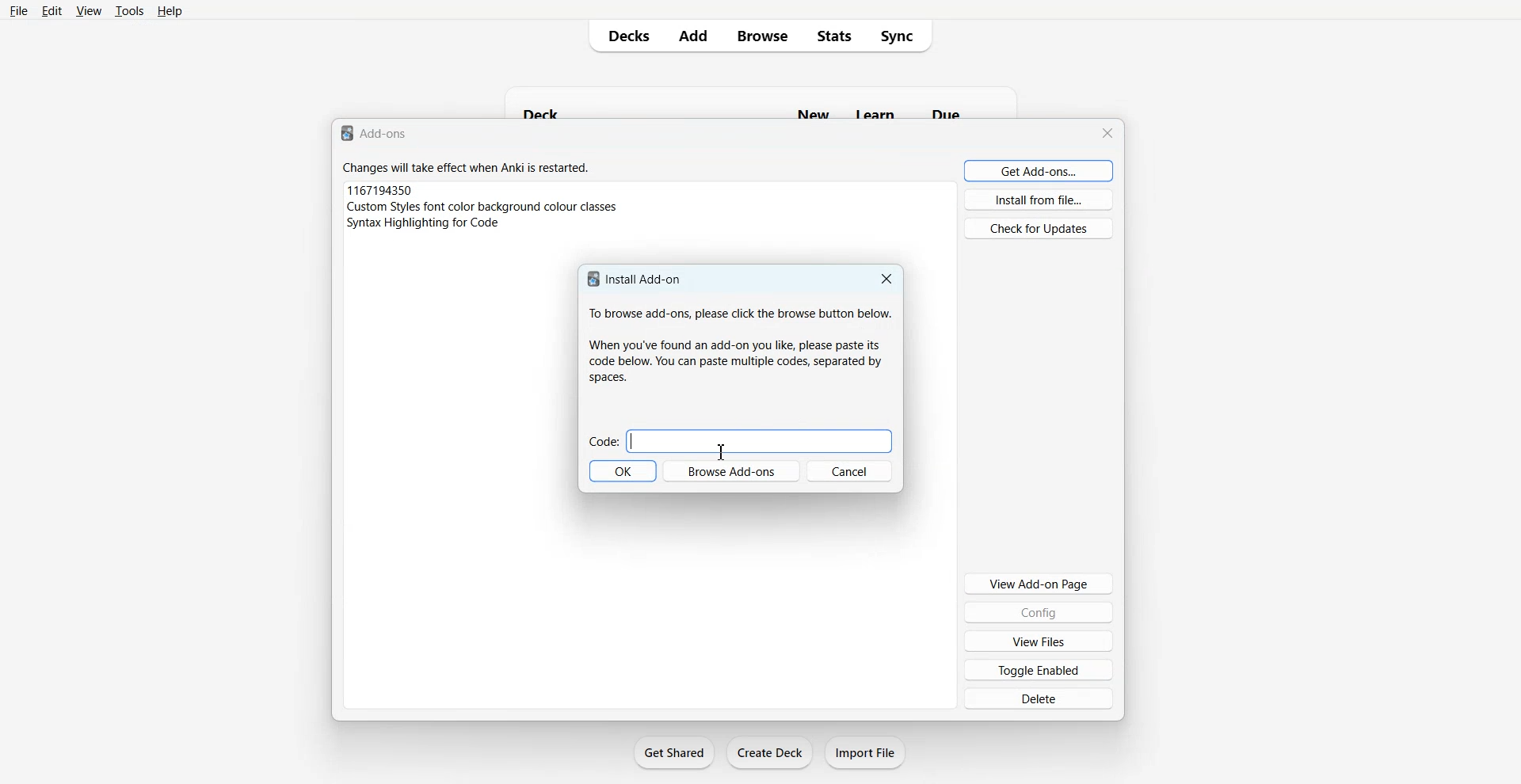 This screenshot has height=784, width=1521. What do you see at coordinates (1107, 131) in the screenshot?
I see `Close` at bounding box center [1107, 131].